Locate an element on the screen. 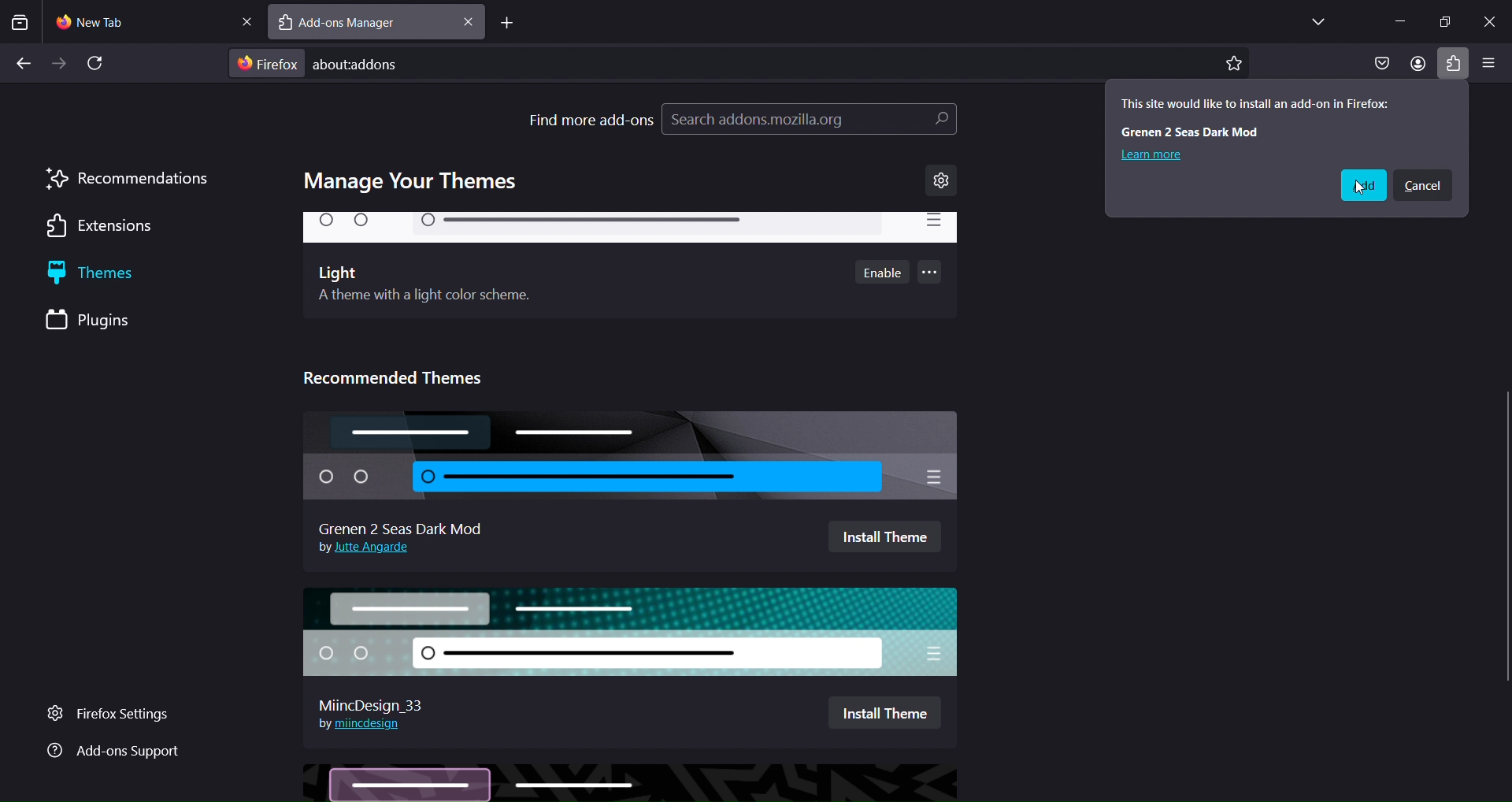  list all tabs is located at coordinates (1314, 20).